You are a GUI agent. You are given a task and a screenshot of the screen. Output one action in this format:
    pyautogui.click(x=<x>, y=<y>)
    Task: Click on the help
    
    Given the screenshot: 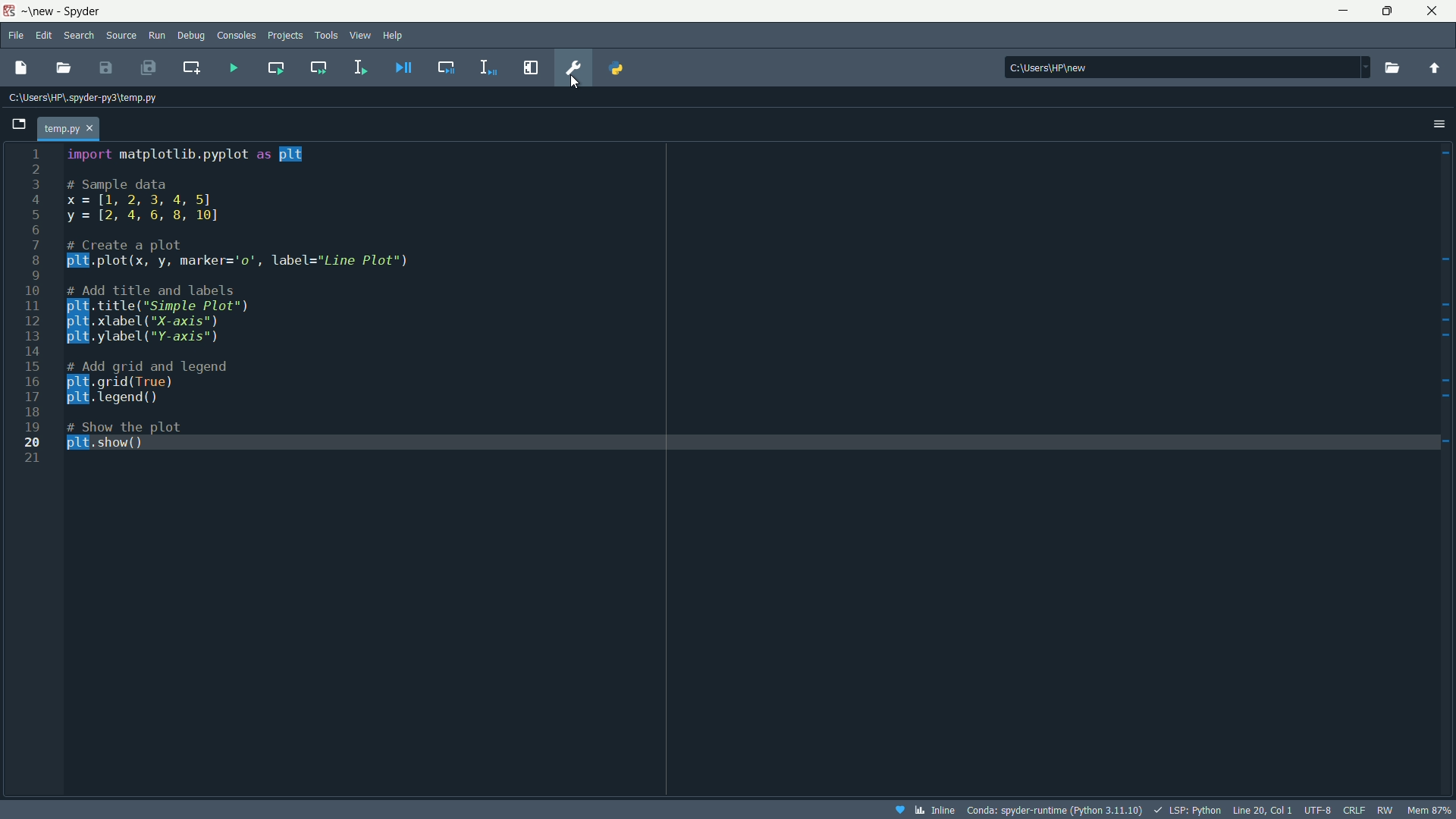 What is the action you would take?
    pyautogui.click(x=394, y=34)
    